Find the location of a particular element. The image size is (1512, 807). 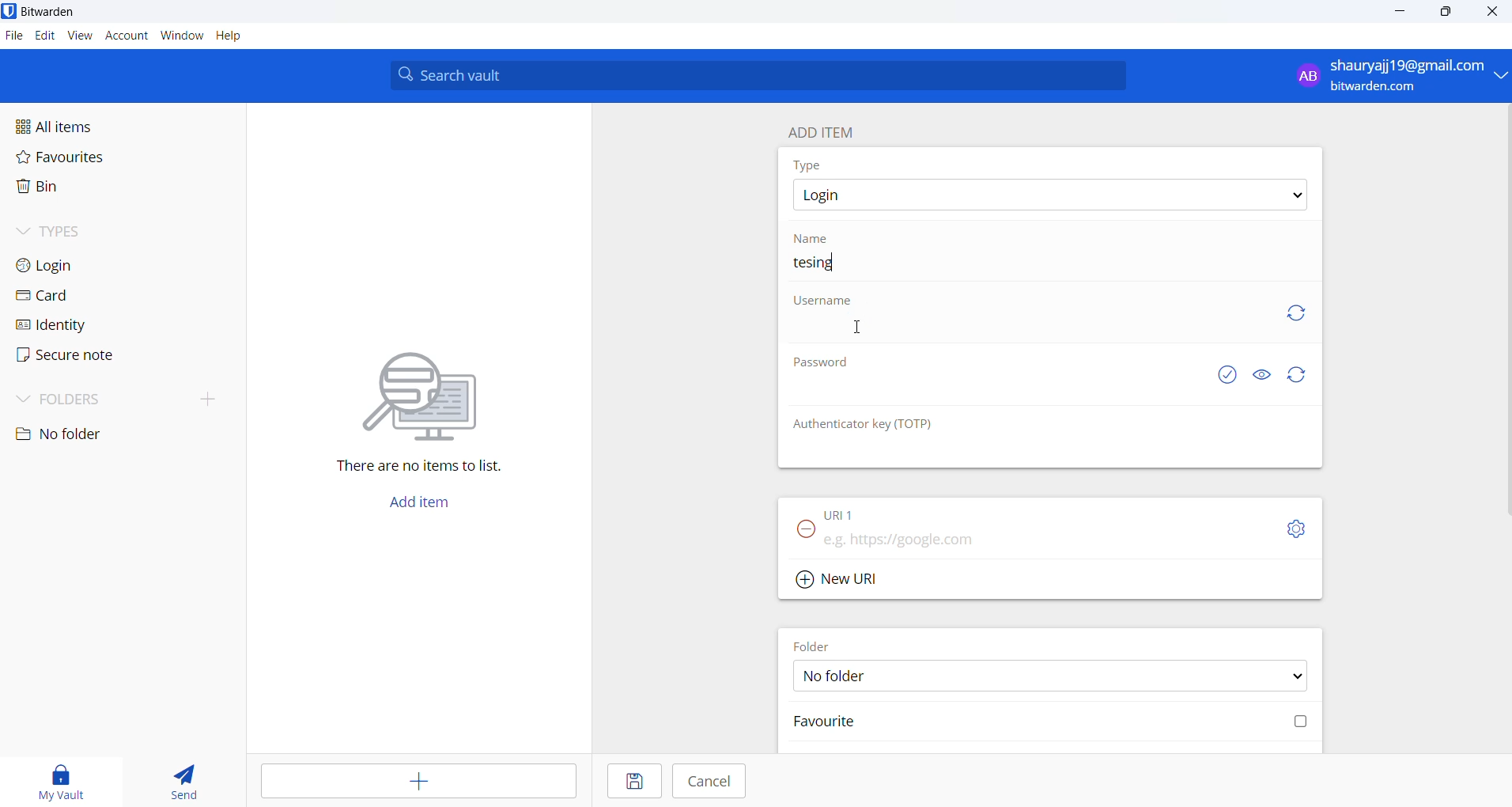

Authenticator key (TOTP) is located at coordinates (879, 426).